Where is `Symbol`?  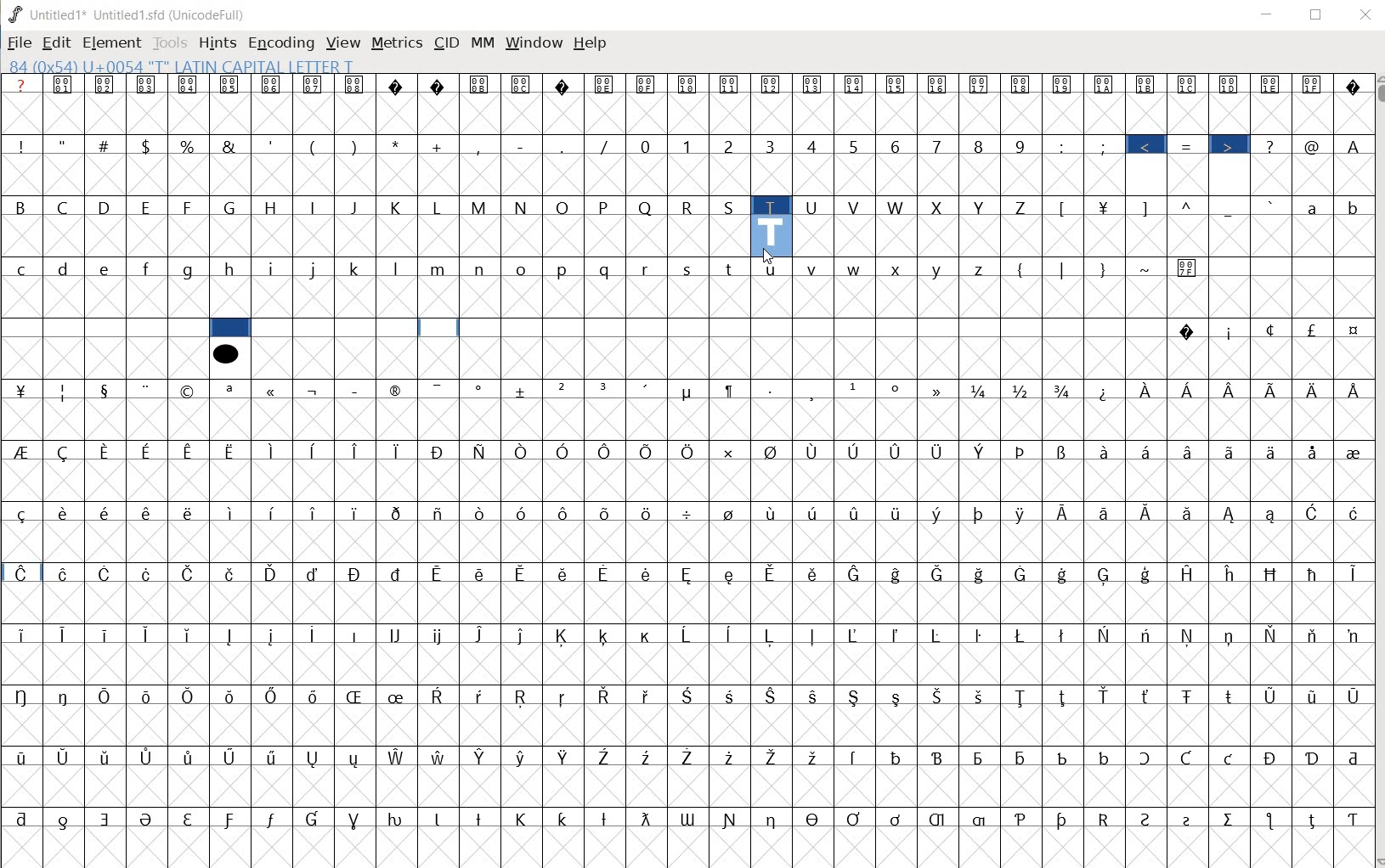
Symbol is located at coordinates (690, 573).